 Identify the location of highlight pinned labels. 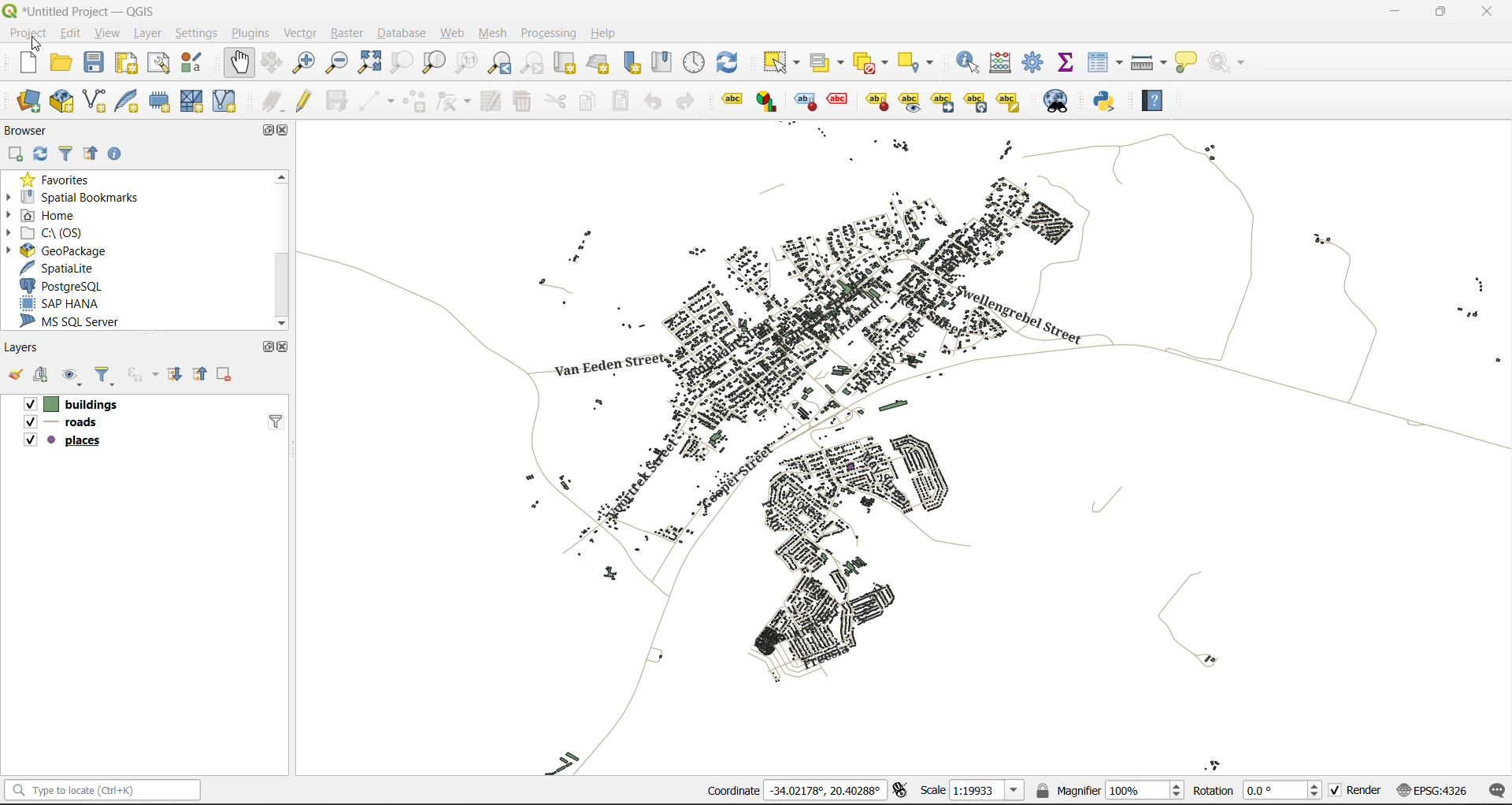
(731, 101).